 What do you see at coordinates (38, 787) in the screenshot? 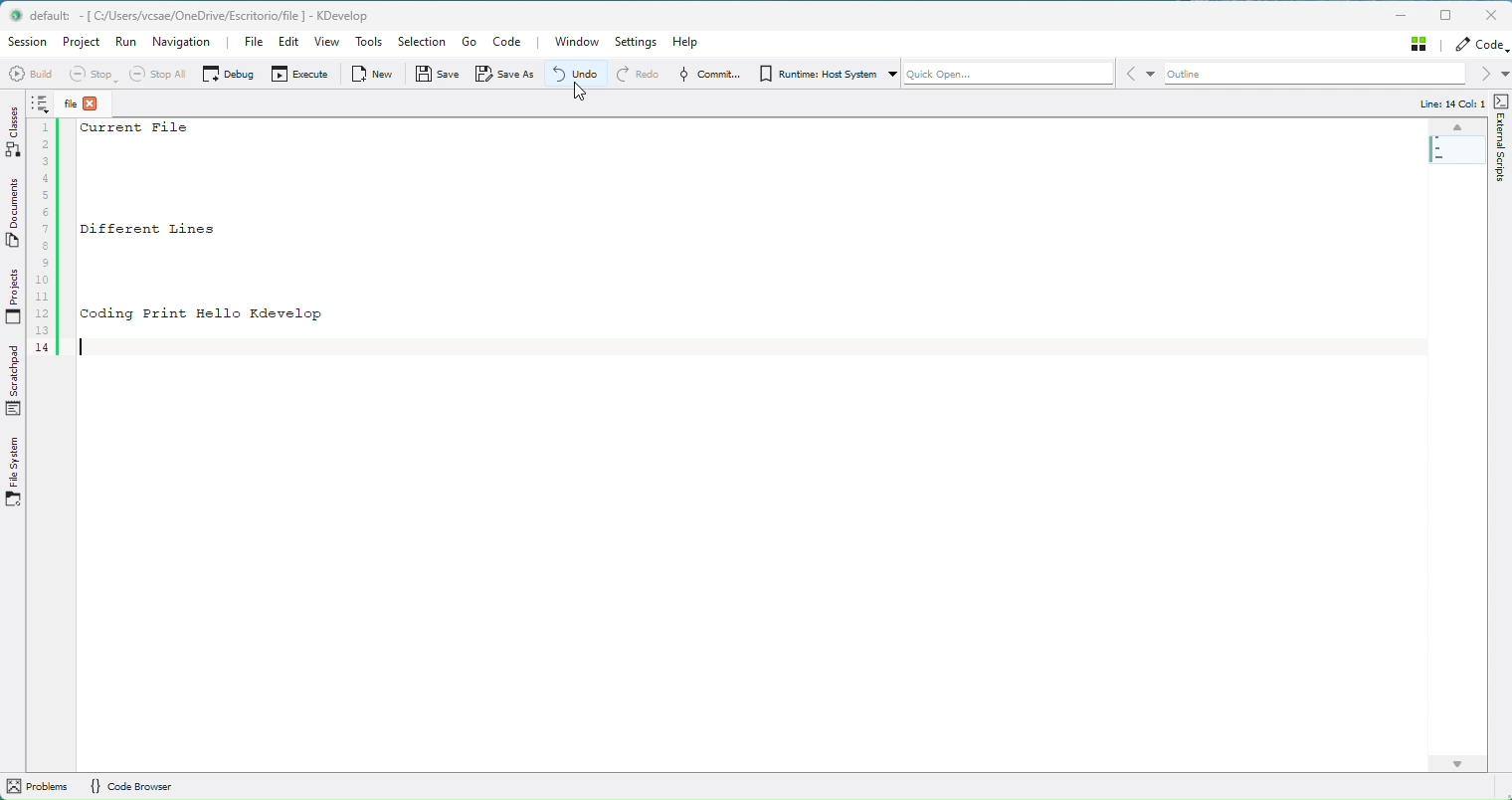
I see `problem` at bounding box center [38, 787].